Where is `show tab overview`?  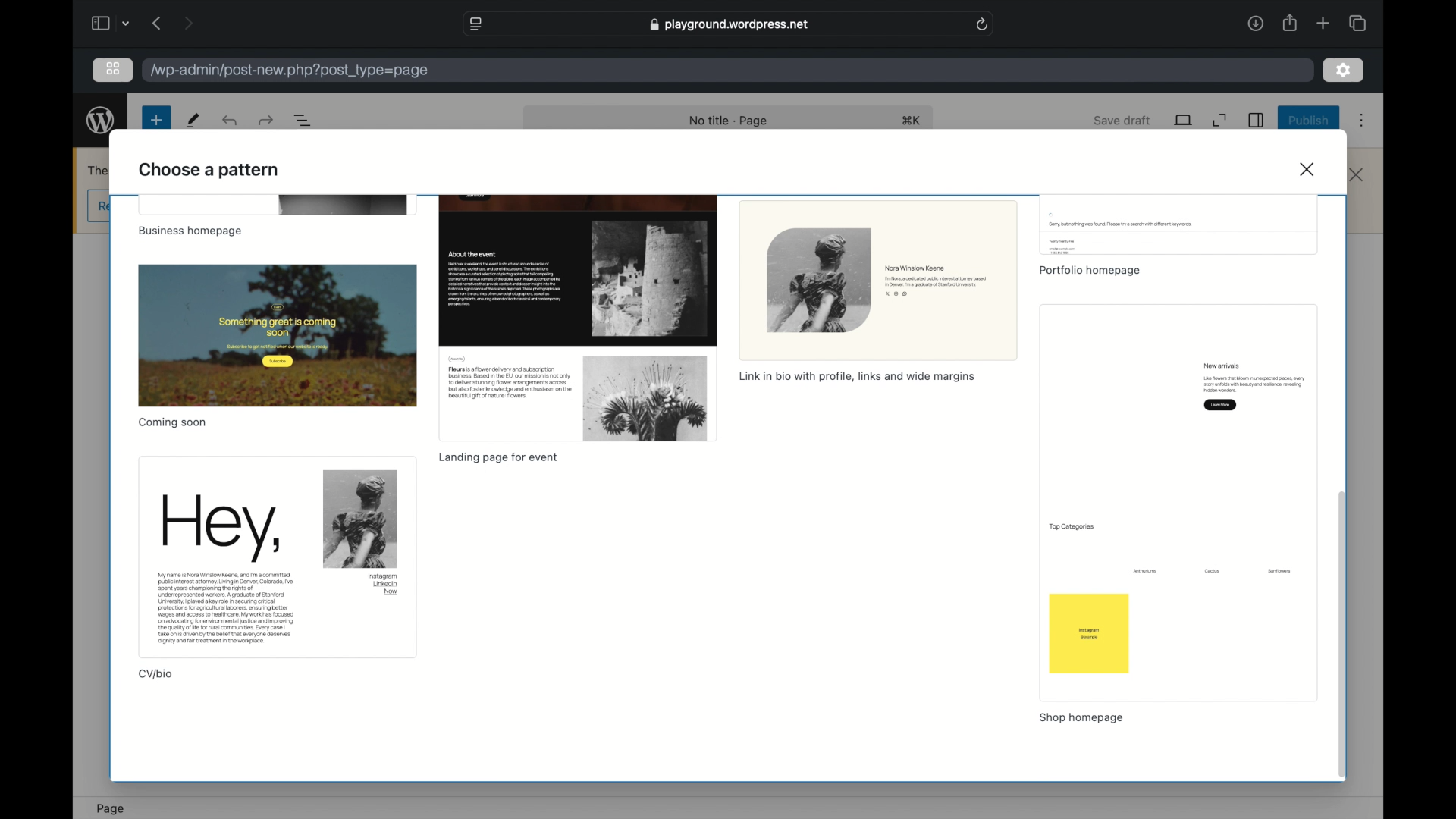 show tab overview is located at coordinates (1357, 23).